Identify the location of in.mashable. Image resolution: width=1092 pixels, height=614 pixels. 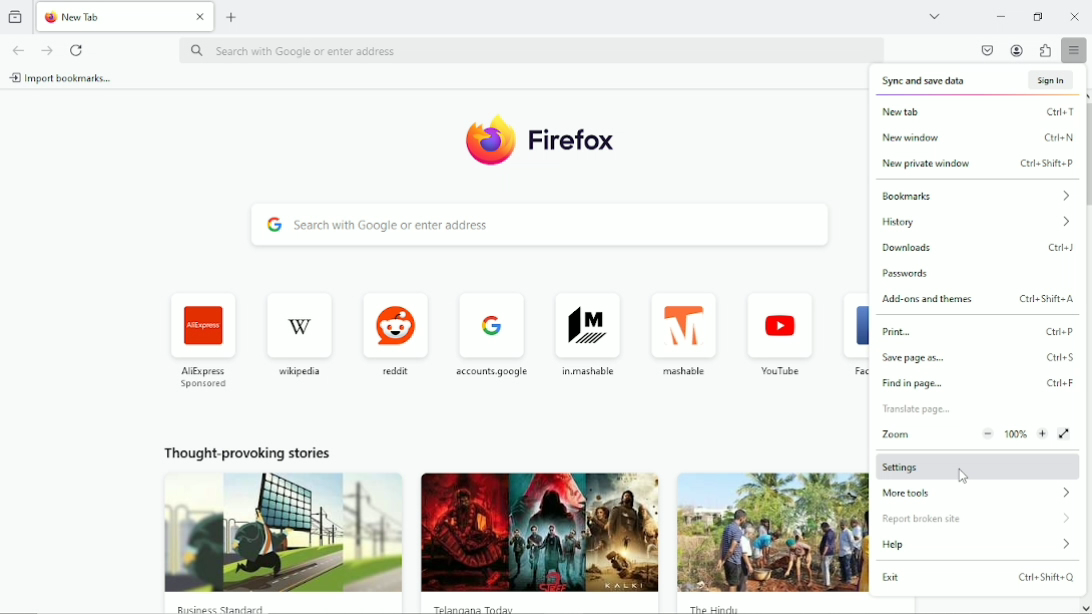
(585, 331).